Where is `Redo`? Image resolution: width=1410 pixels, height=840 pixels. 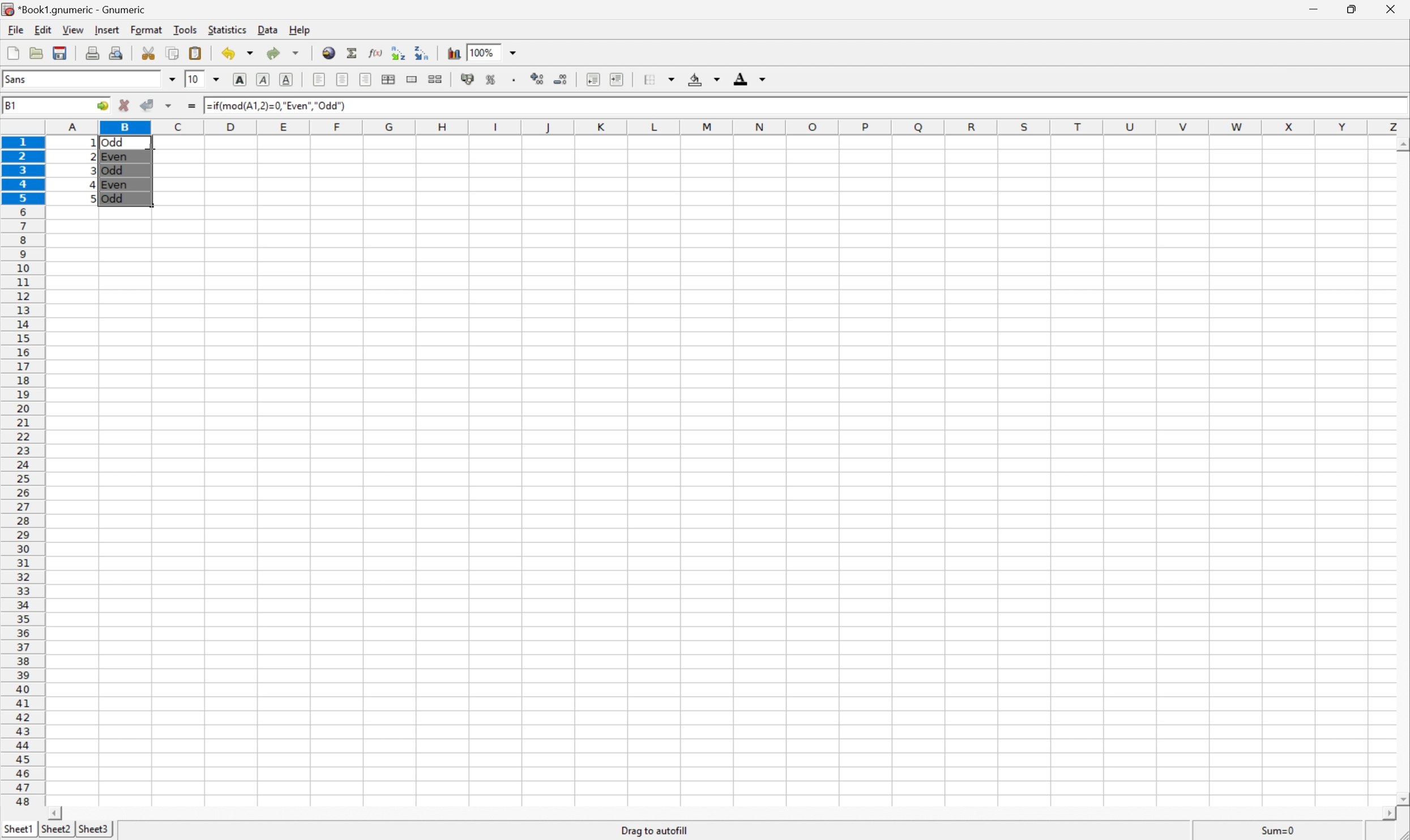
Redo is located at coordinates (288, 52).